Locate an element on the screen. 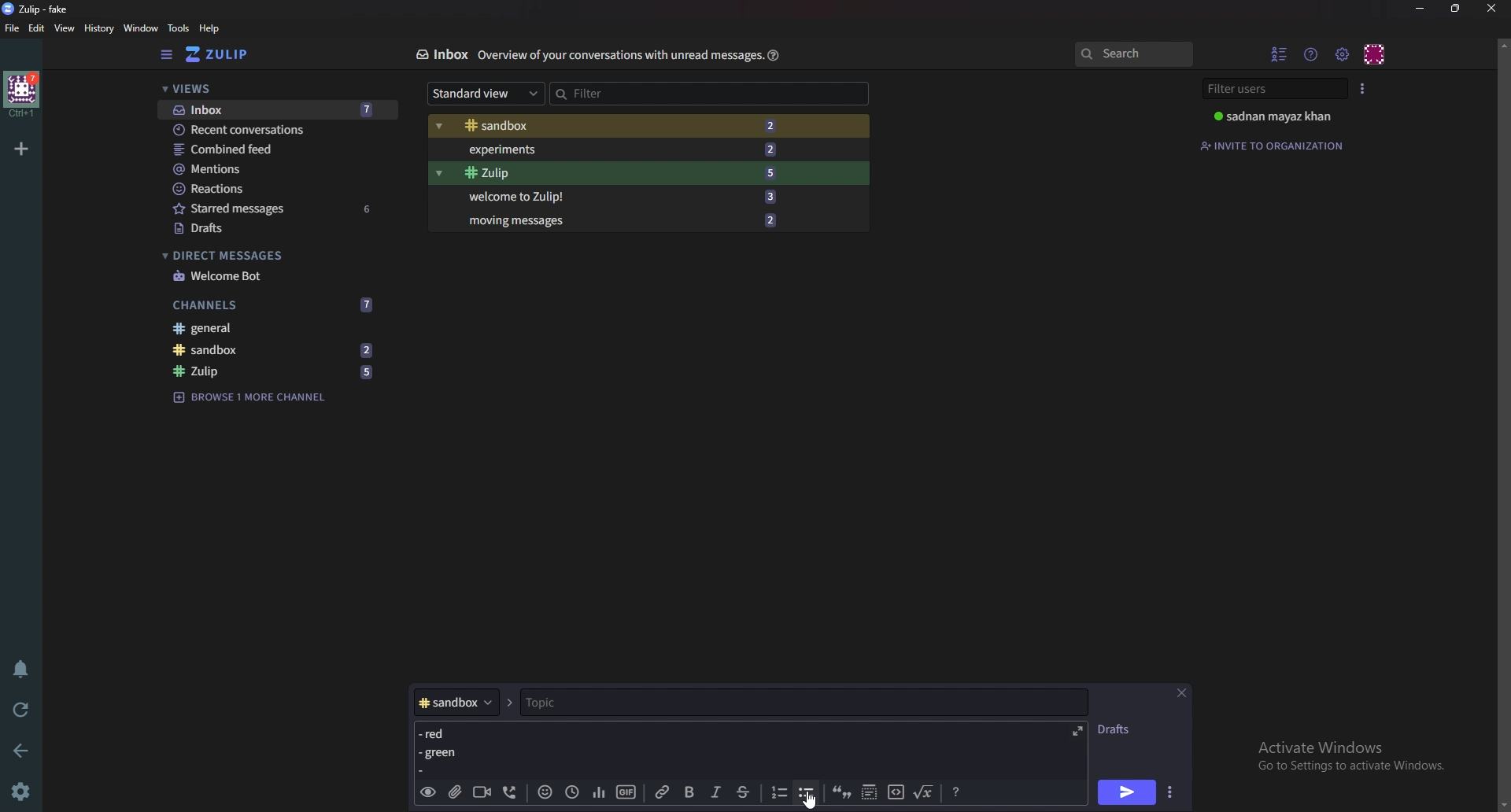  Invite to organization is located at coordinates (1274, 146).